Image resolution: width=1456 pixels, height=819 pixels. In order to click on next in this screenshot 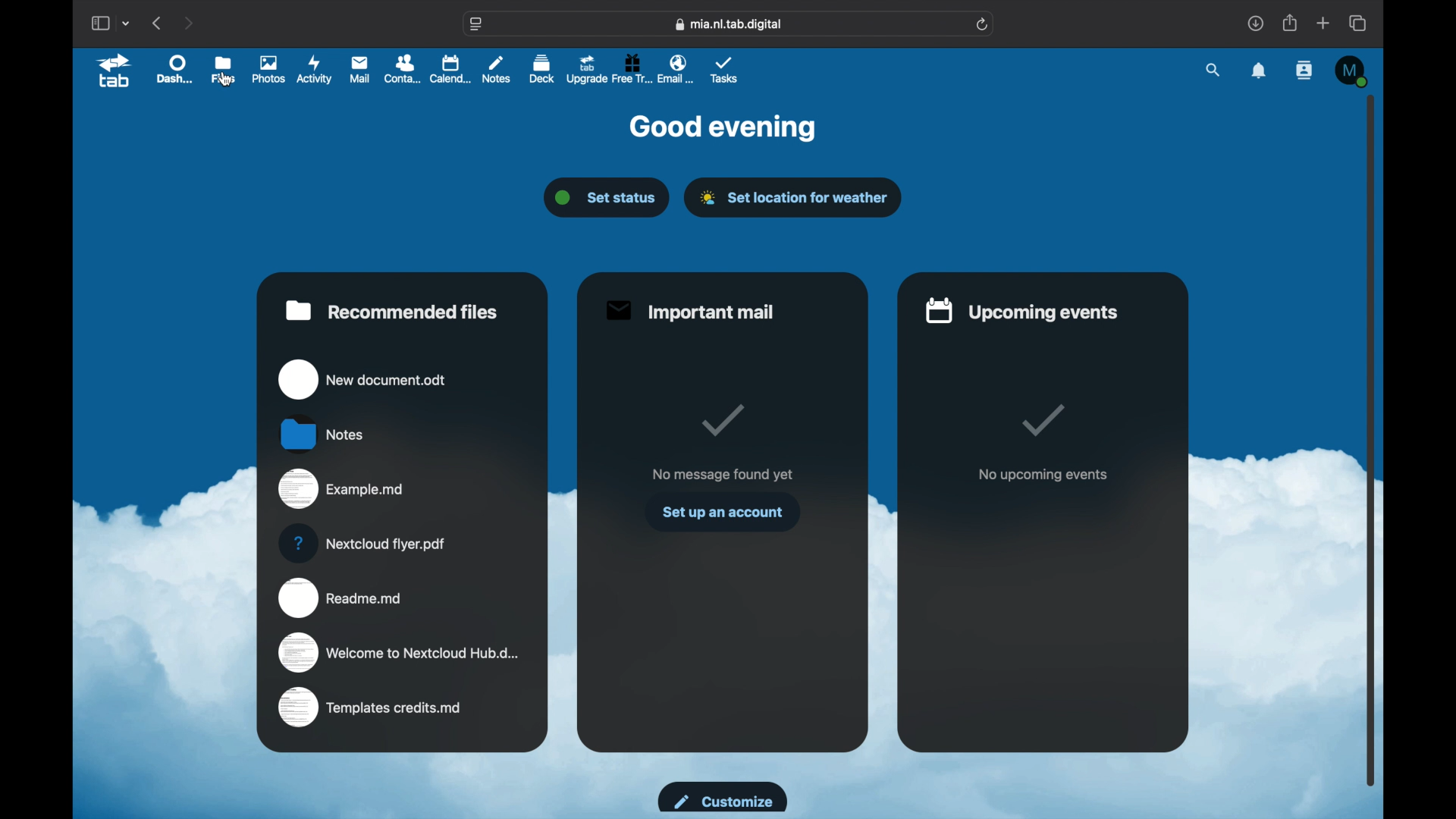, I will do `click(190, 23)`.